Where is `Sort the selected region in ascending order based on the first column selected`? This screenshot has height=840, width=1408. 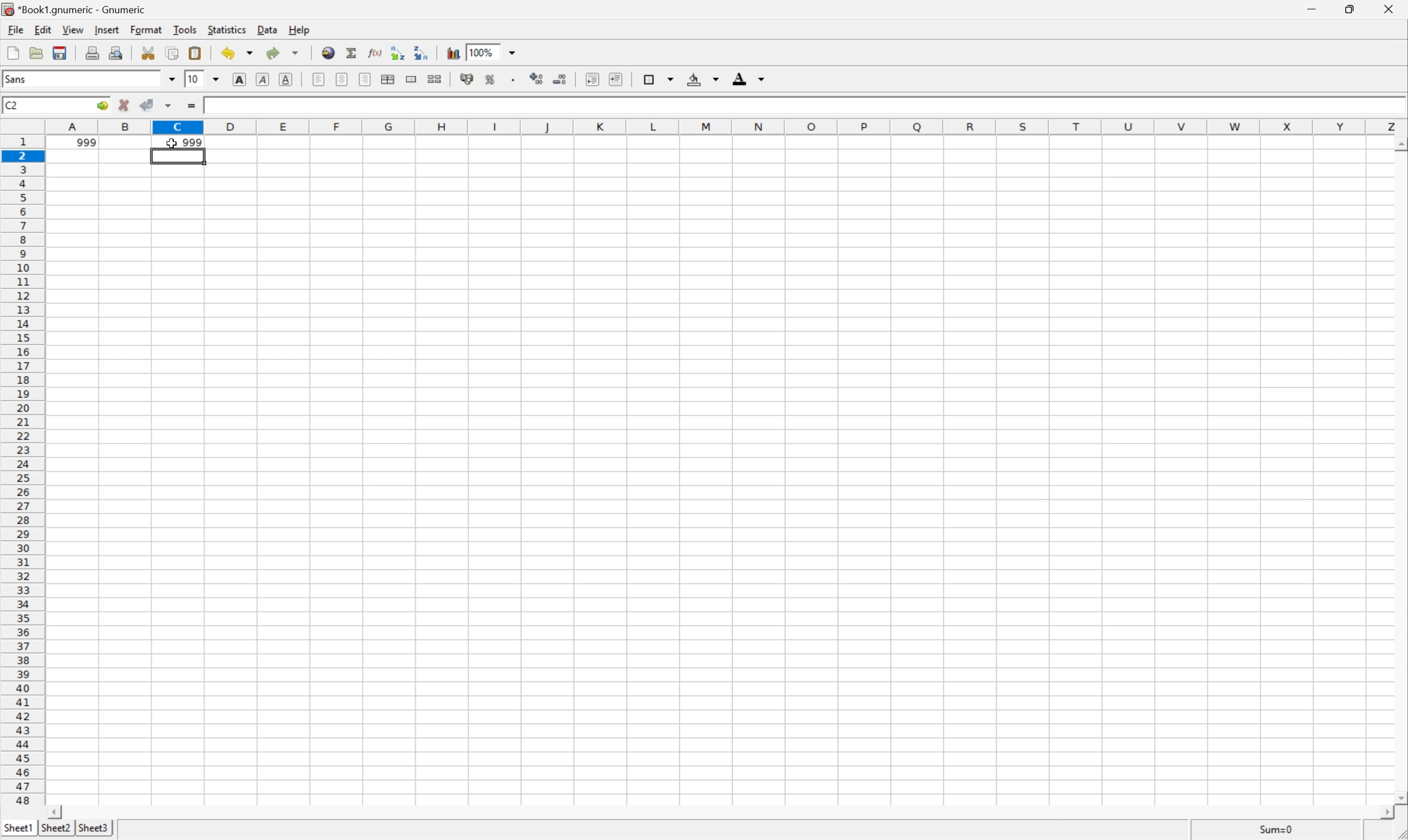 Sort the selected region in ascending order based on the first column selected is located at coordinates (398, 52).